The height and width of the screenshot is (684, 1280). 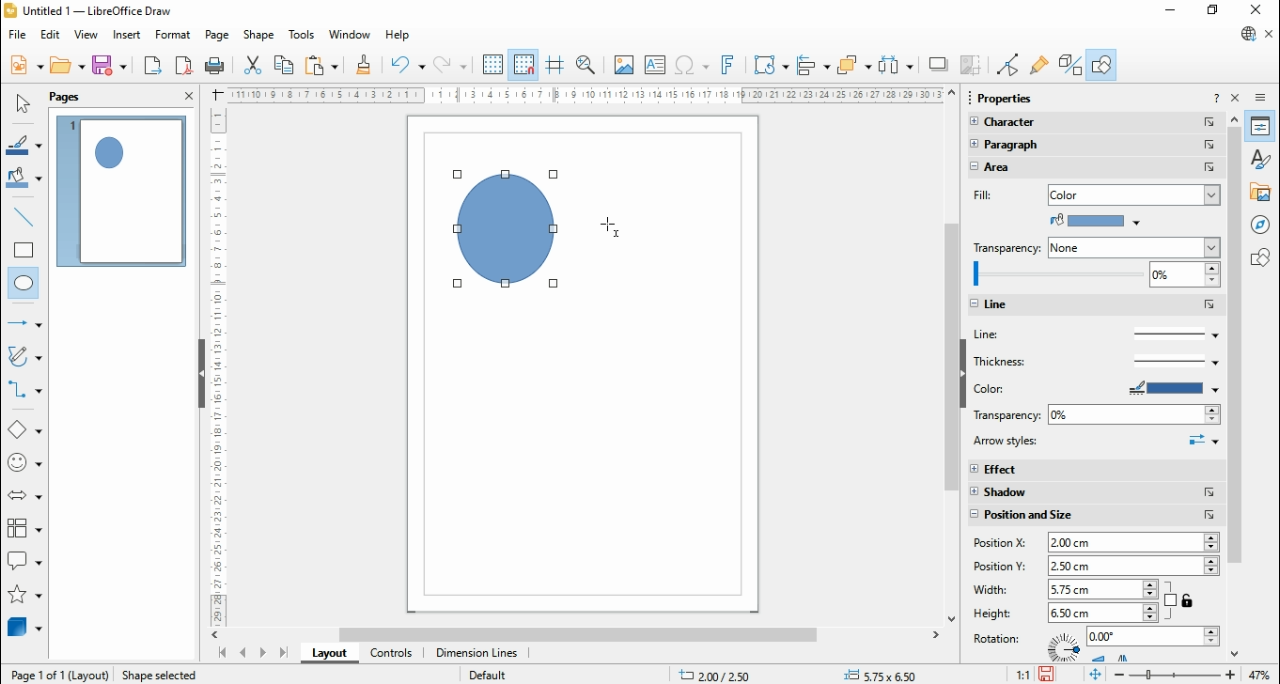 What do you see at coordinates (126, 36) in the screenshot?
I see `insert` at bounding box center [126, 36].